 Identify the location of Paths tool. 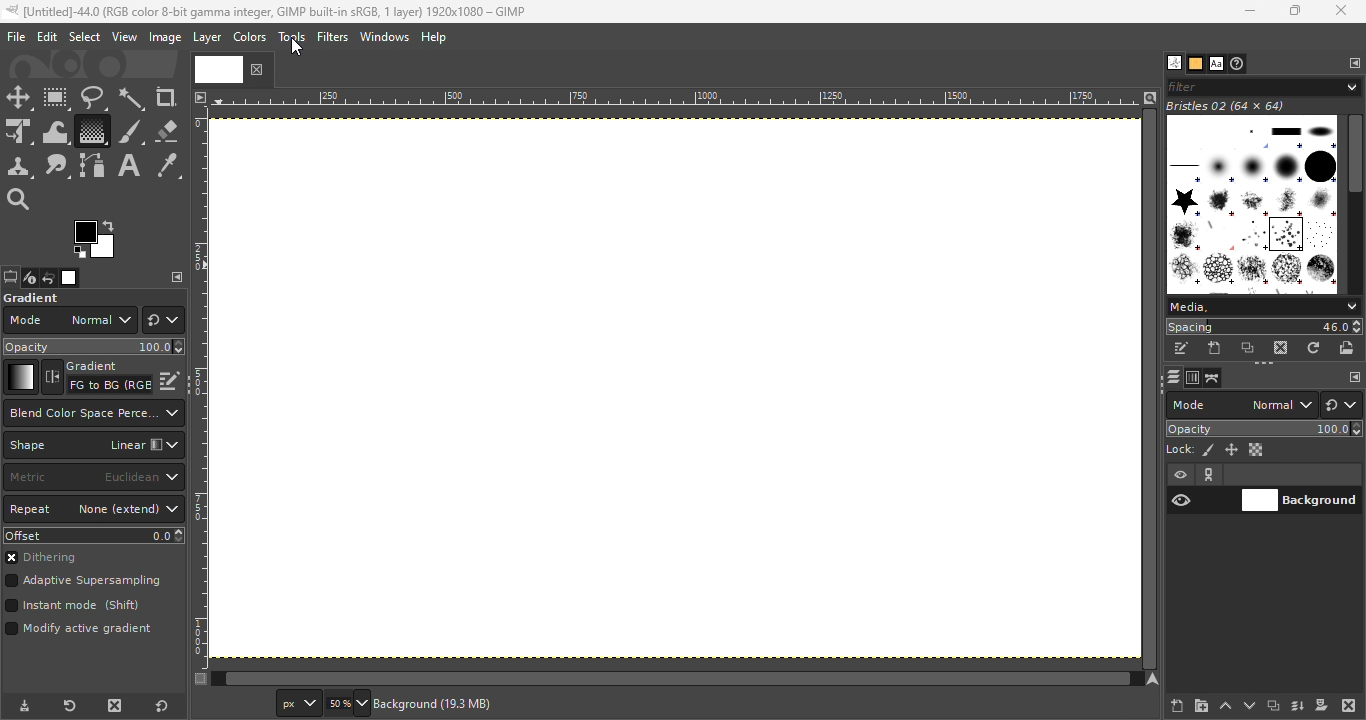
(93, 166).